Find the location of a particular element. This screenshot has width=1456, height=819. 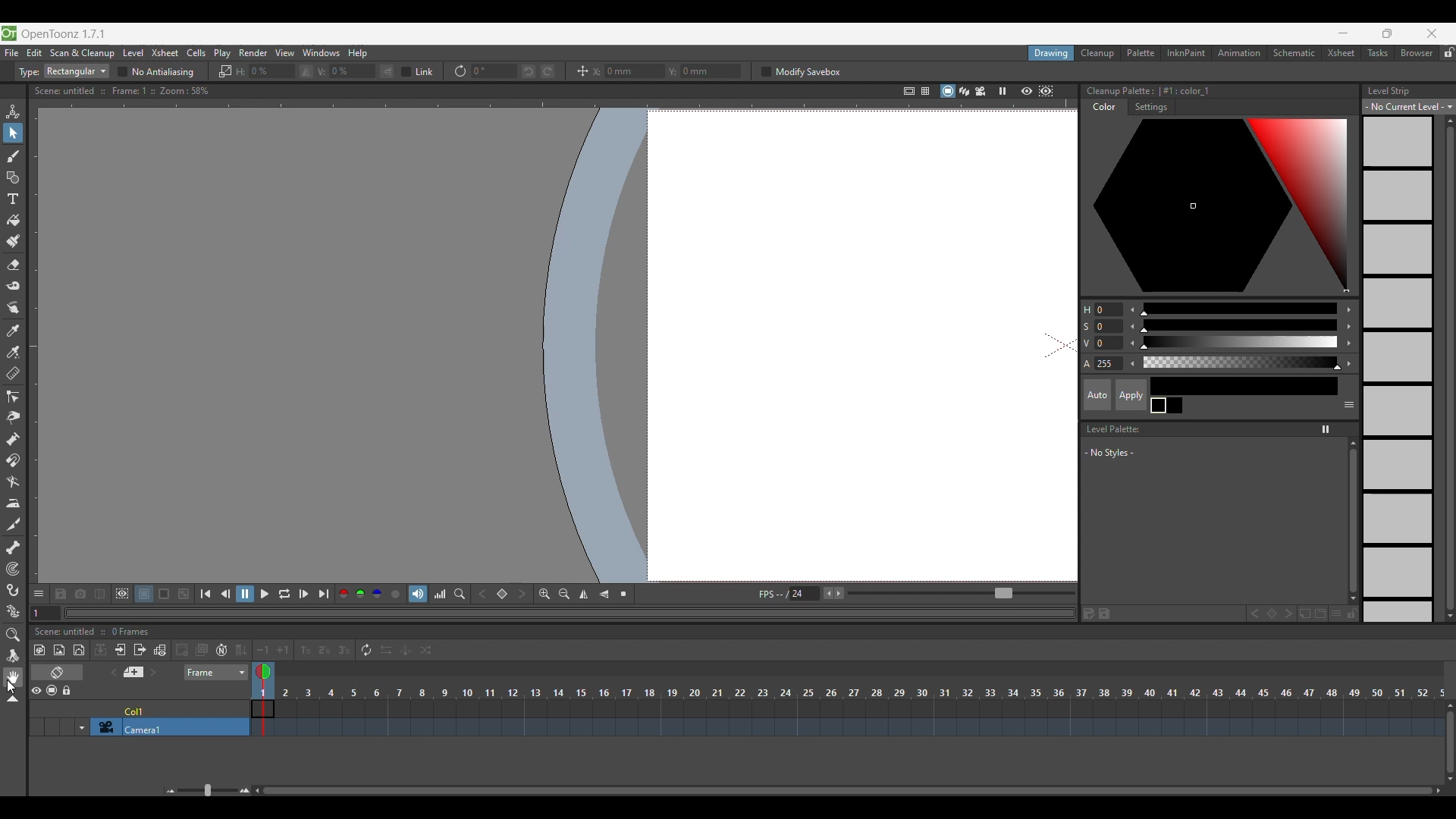

Palette is located at coordinates (1140, 53).